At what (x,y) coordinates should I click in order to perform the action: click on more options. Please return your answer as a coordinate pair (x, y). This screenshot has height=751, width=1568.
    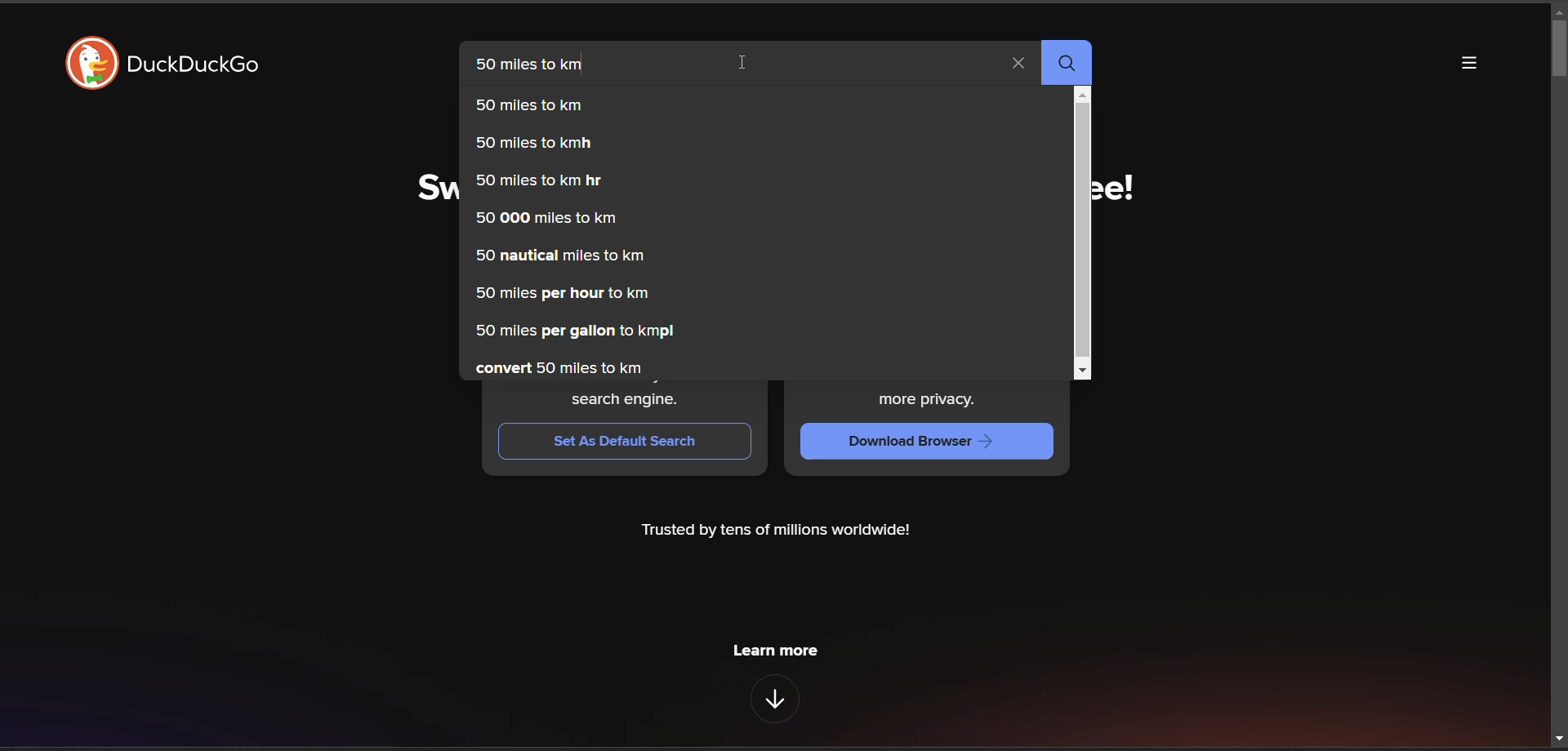
    Looking at the image, I should click on (1466, 62).